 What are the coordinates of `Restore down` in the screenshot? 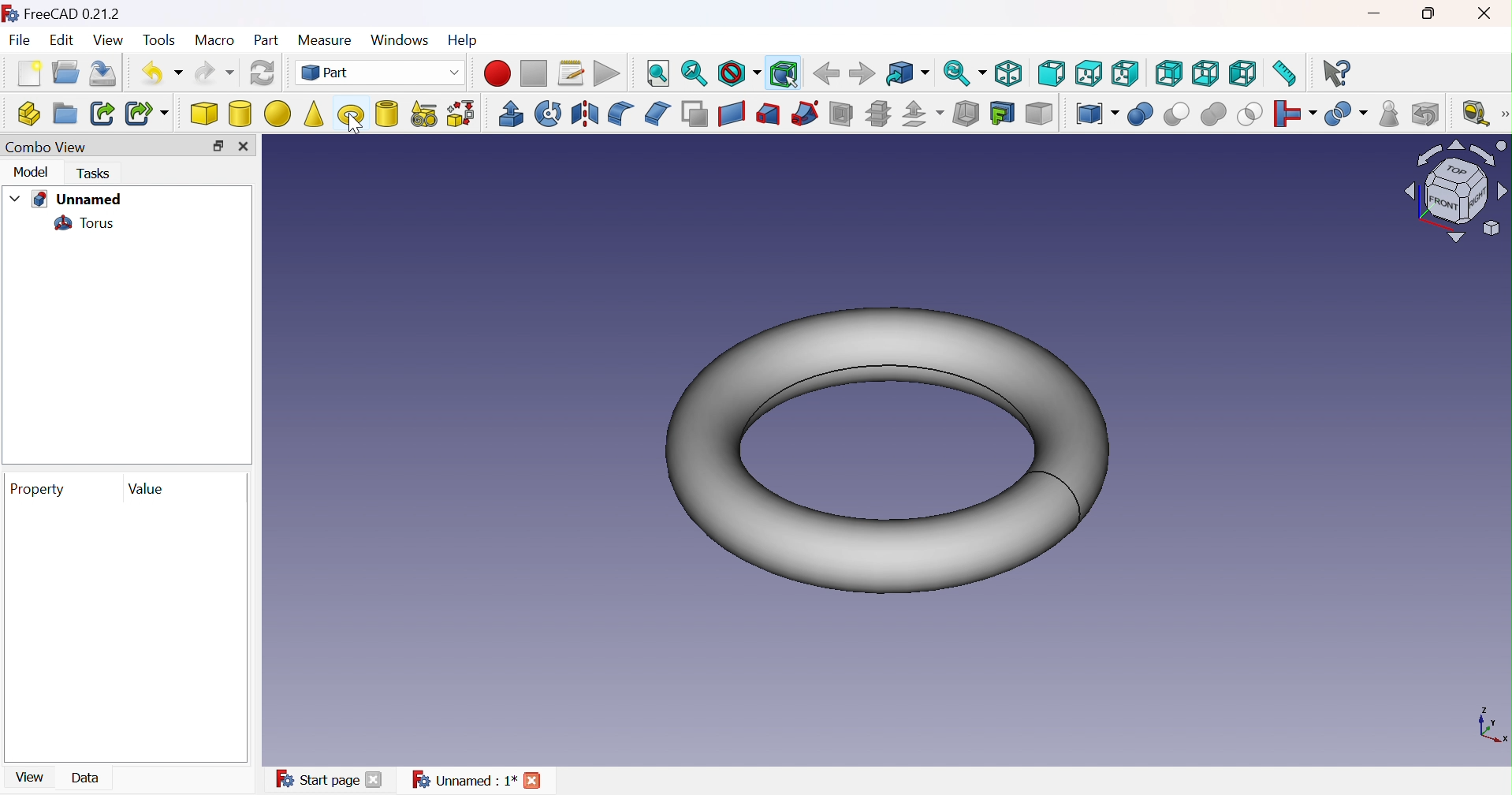 It's located at (1432, 15).